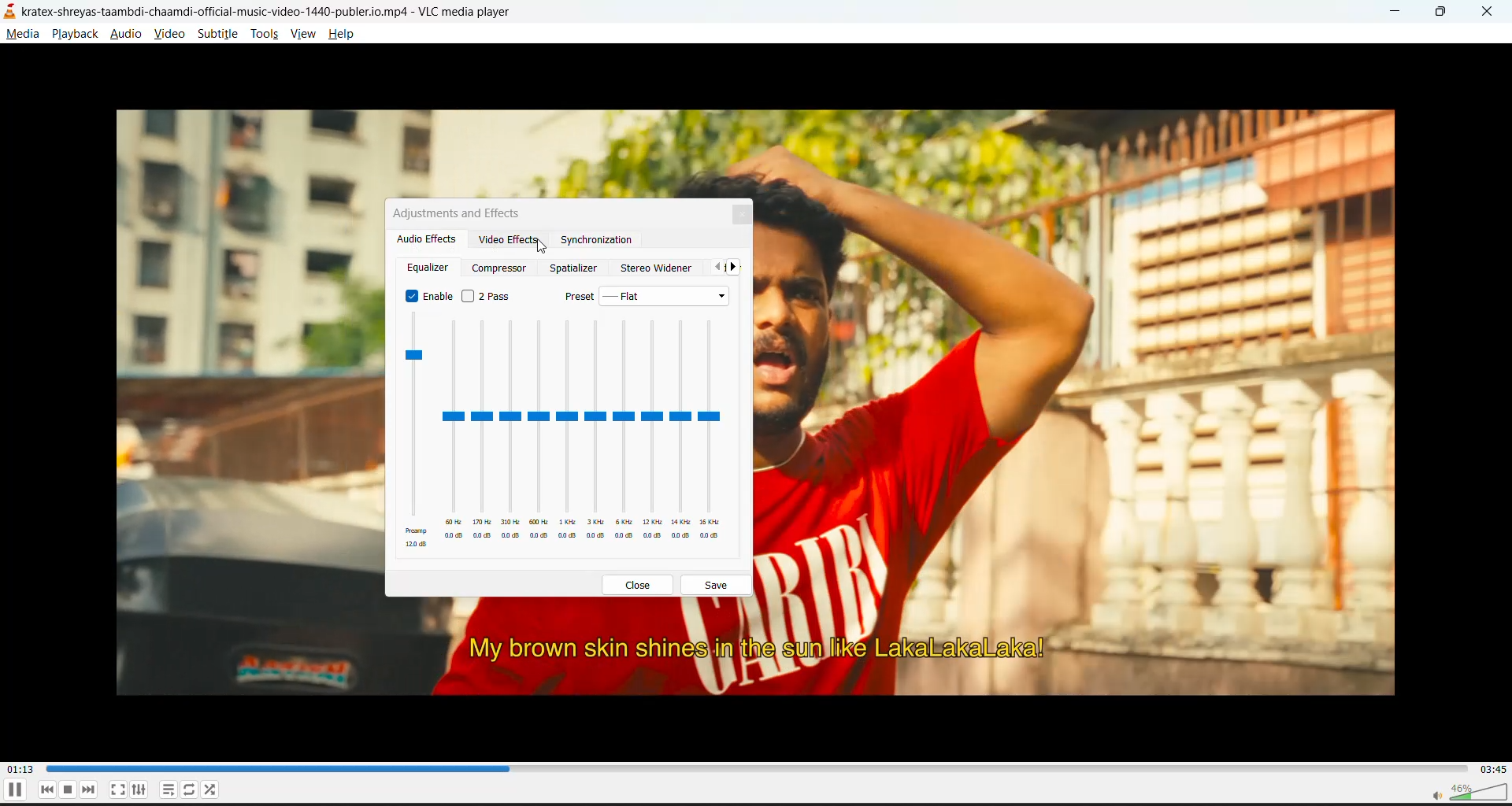  I want to click on minimize, so click(1397, 11).